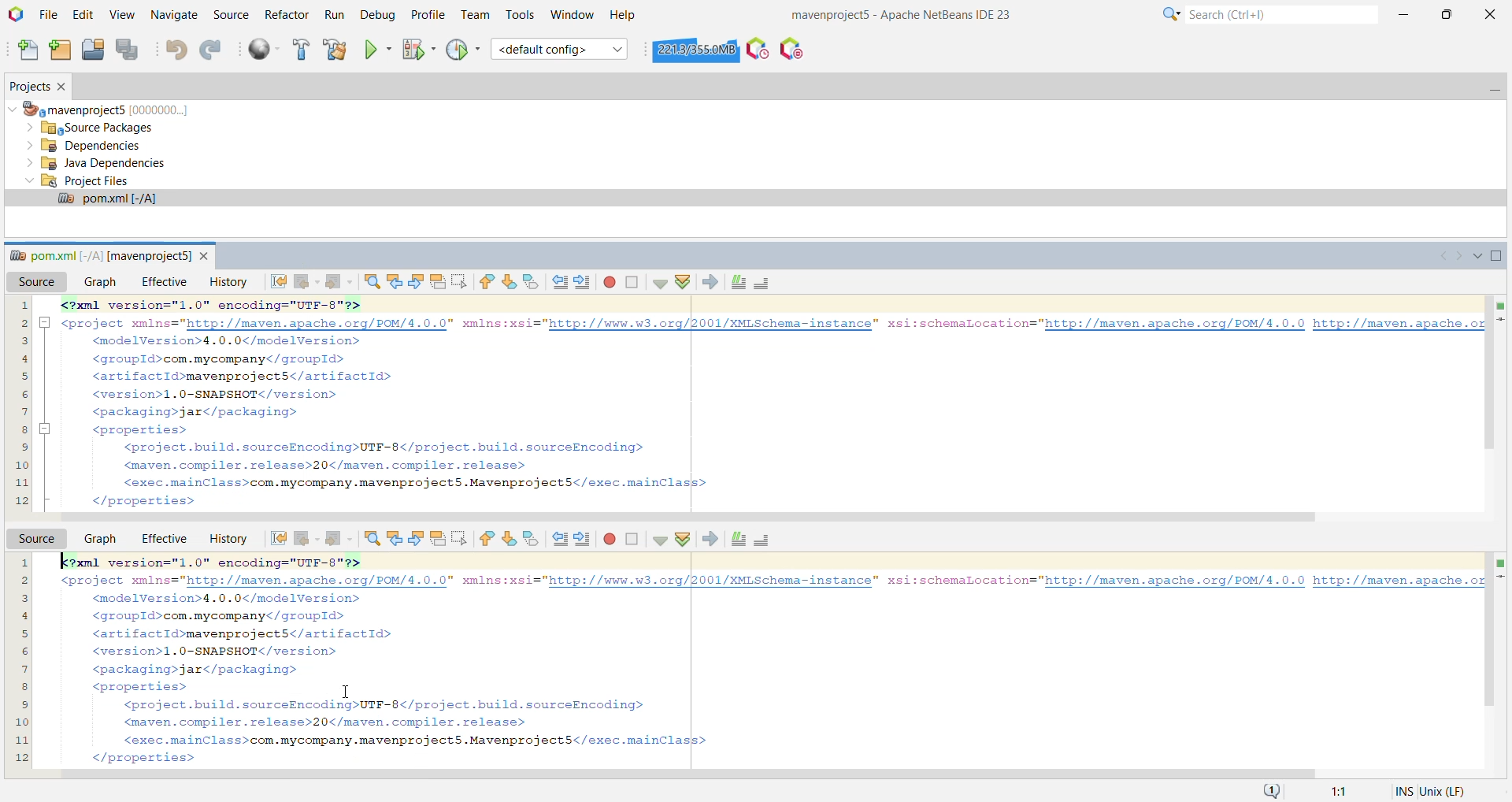  I want to click on Elective, so click(161, 282).